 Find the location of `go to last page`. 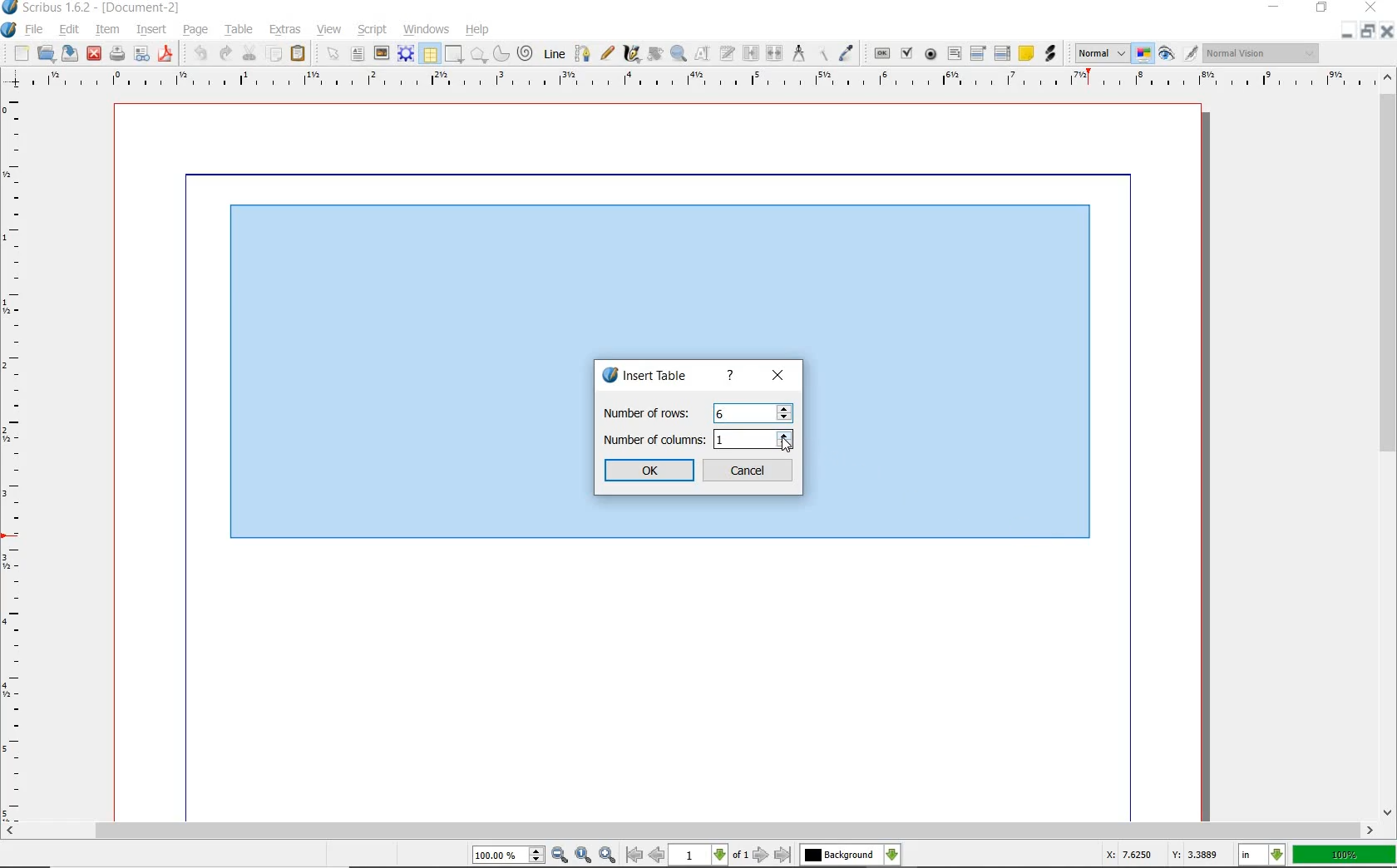

go to last page is located at coordinates (782, 855).